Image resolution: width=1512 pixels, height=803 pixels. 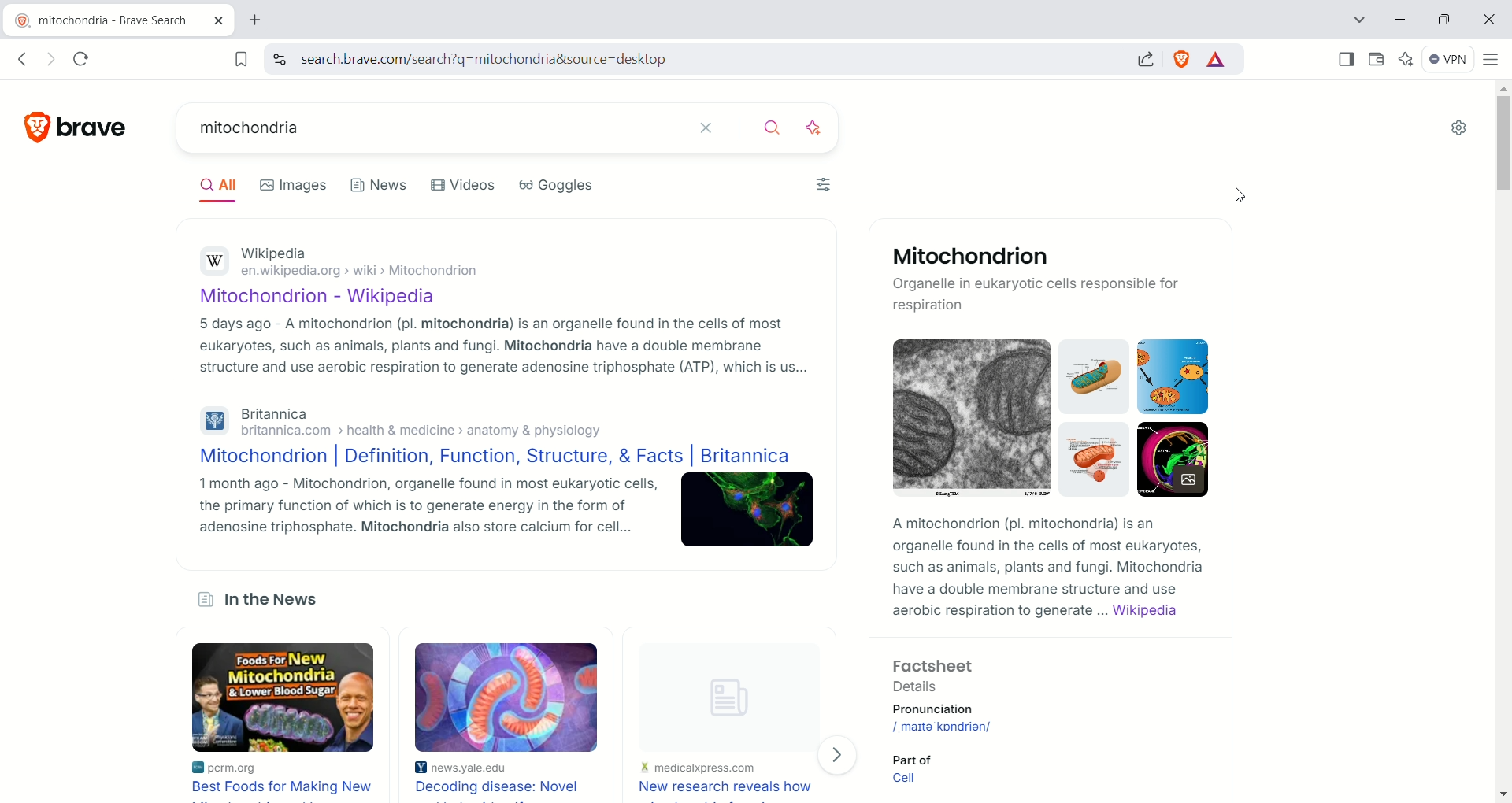 I want to click on rewards, so click(x=1216, y=61).